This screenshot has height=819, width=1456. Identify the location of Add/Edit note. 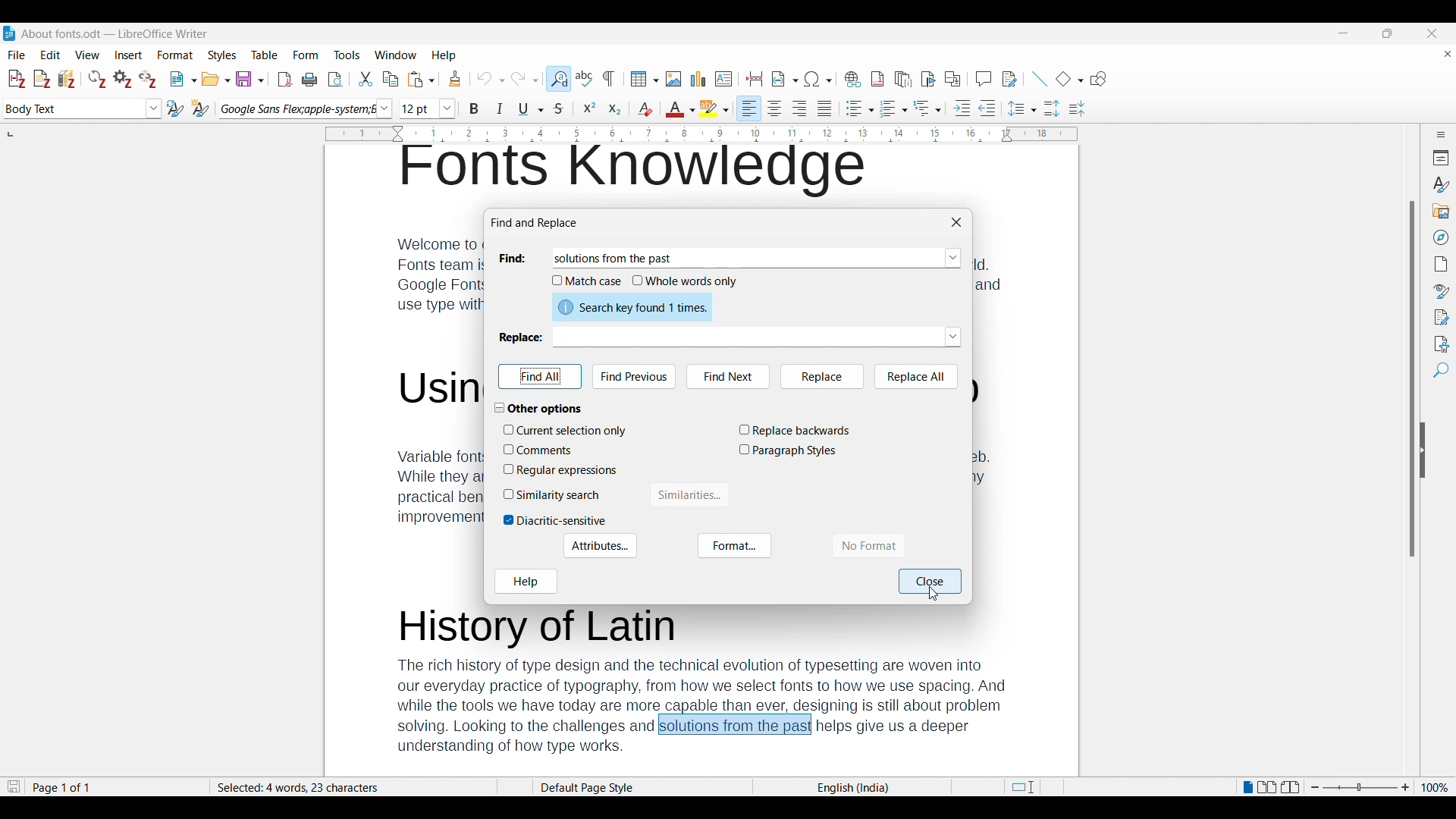
(42, 79).